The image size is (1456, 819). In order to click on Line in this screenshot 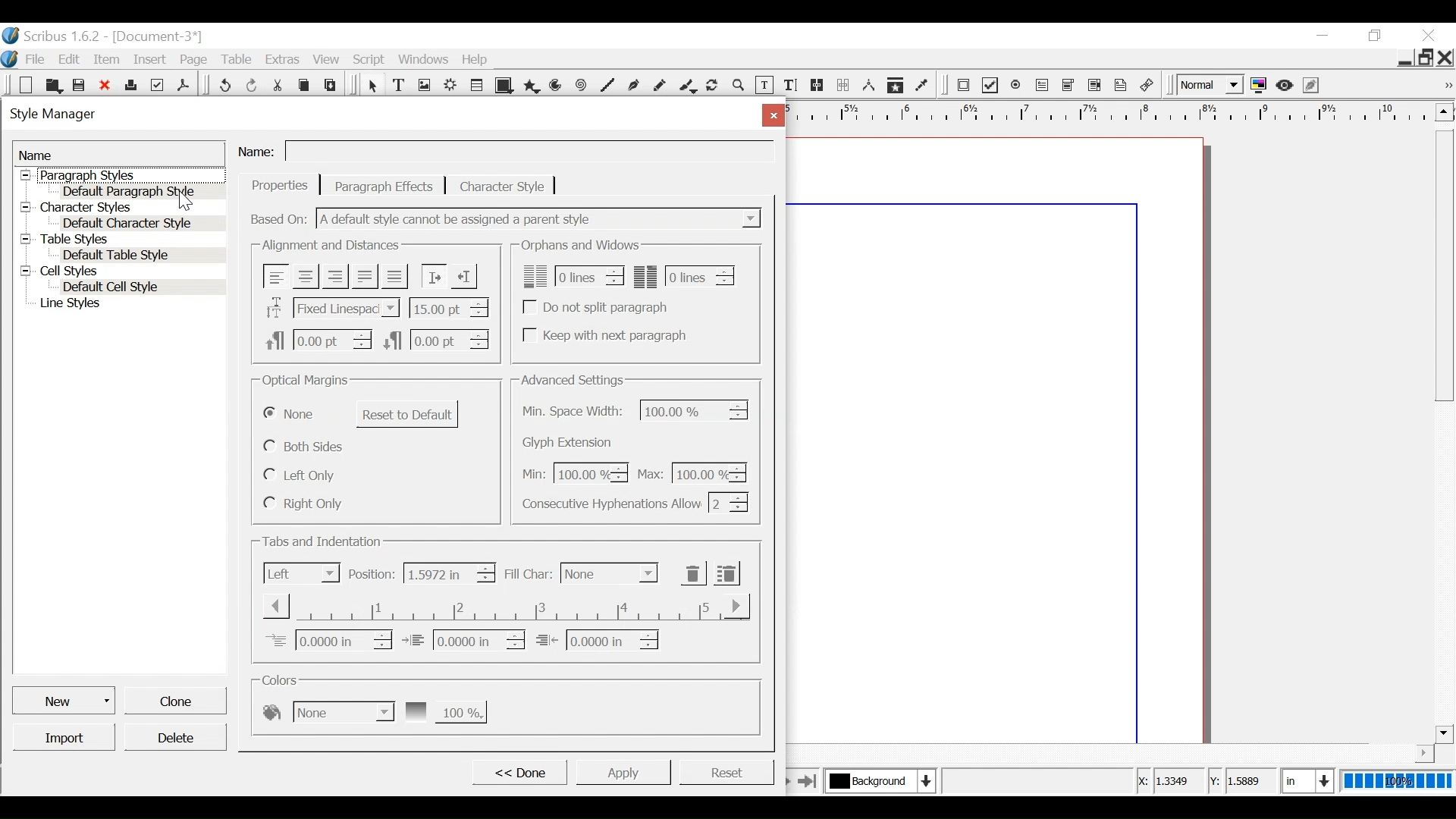, I will do `click(606, 86)`.